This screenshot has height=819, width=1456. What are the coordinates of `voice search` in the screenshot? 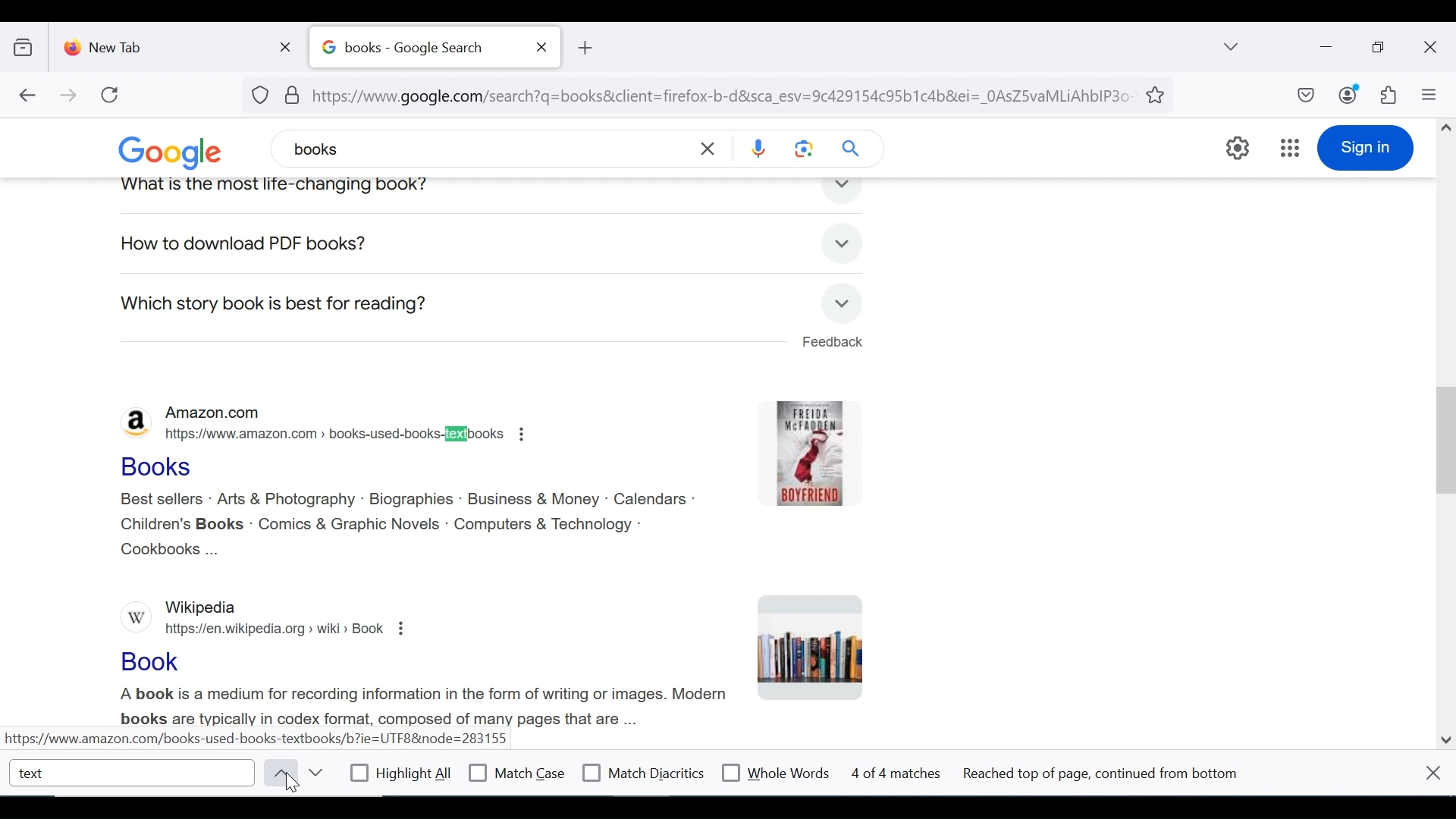 It's located at (758, 150).